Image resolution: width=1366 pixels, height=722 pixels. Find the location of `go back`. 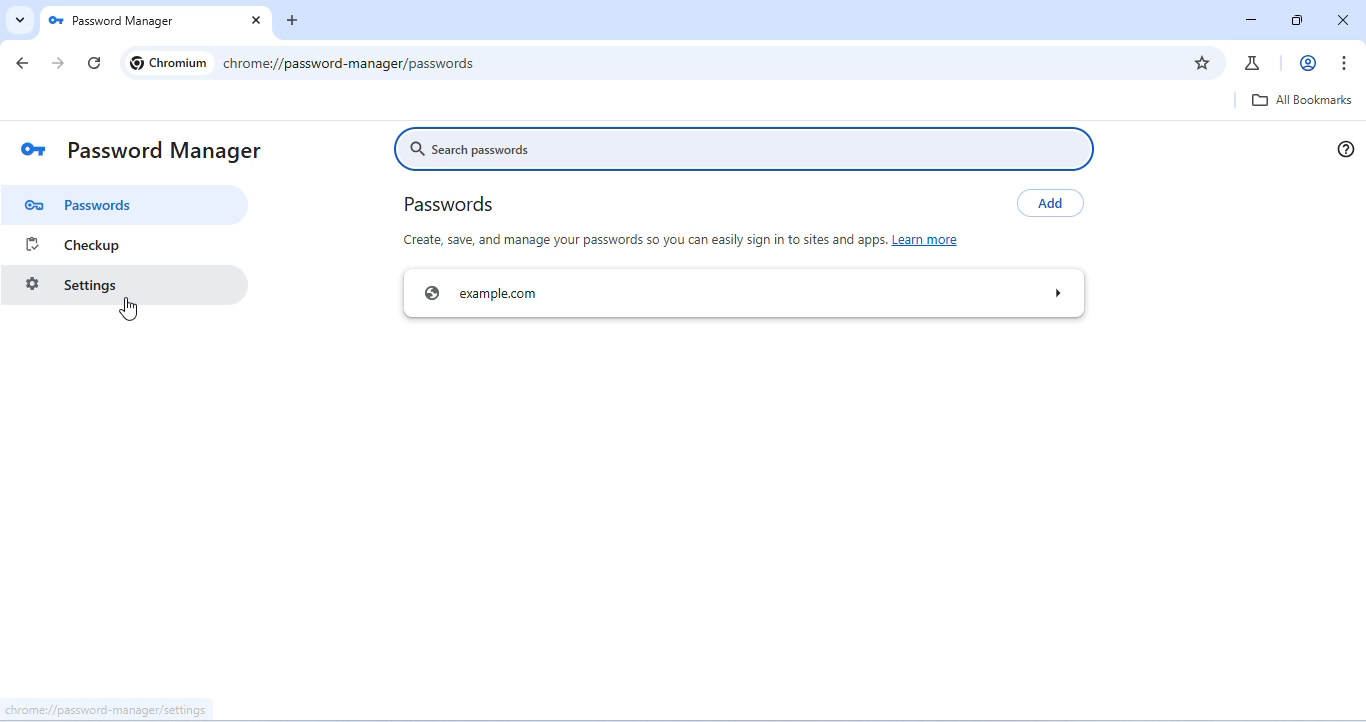

go back is located at coordinates (23, 63).